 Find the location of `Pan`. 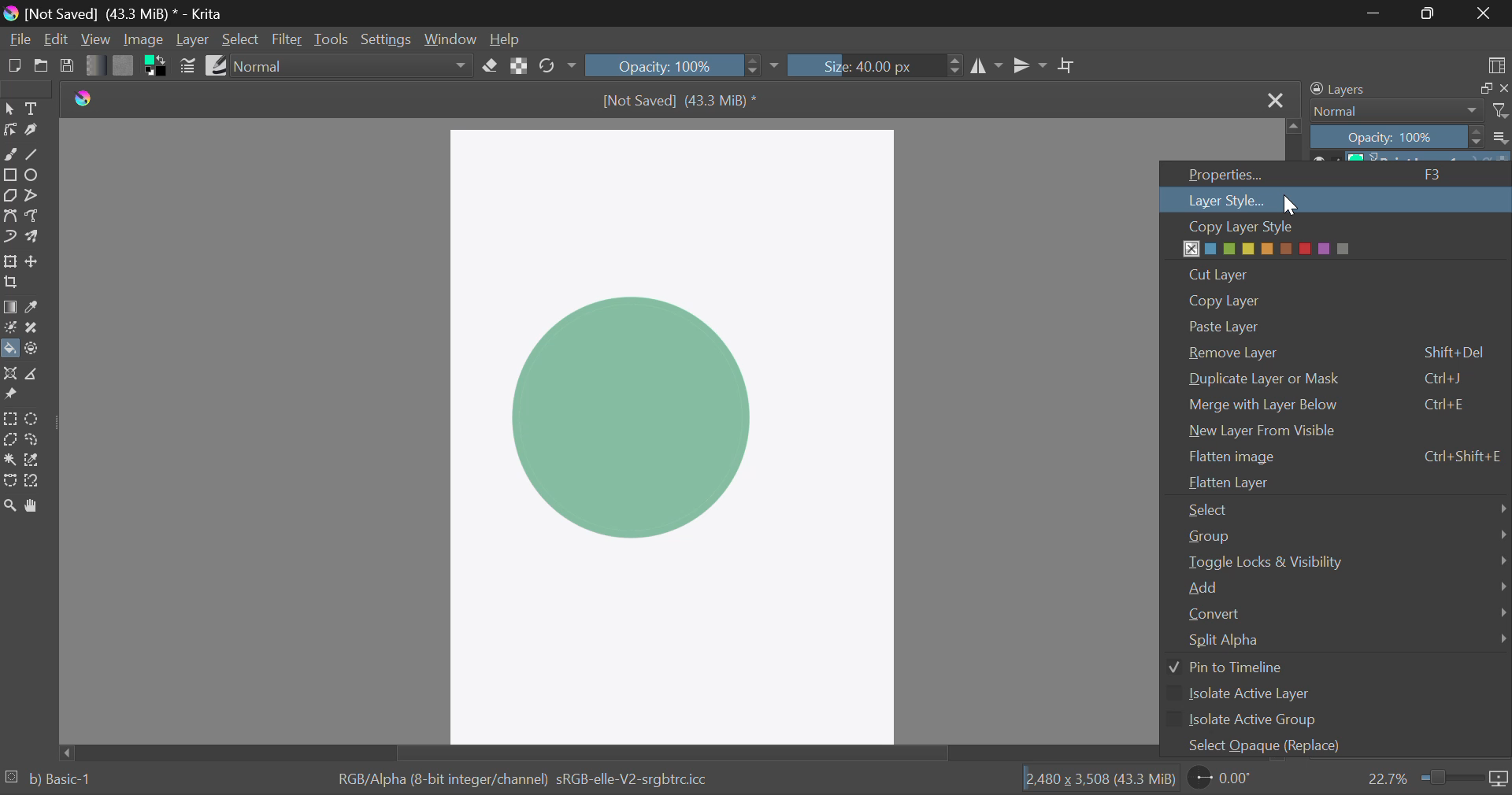

Pan is located at coordinates (33, 506).